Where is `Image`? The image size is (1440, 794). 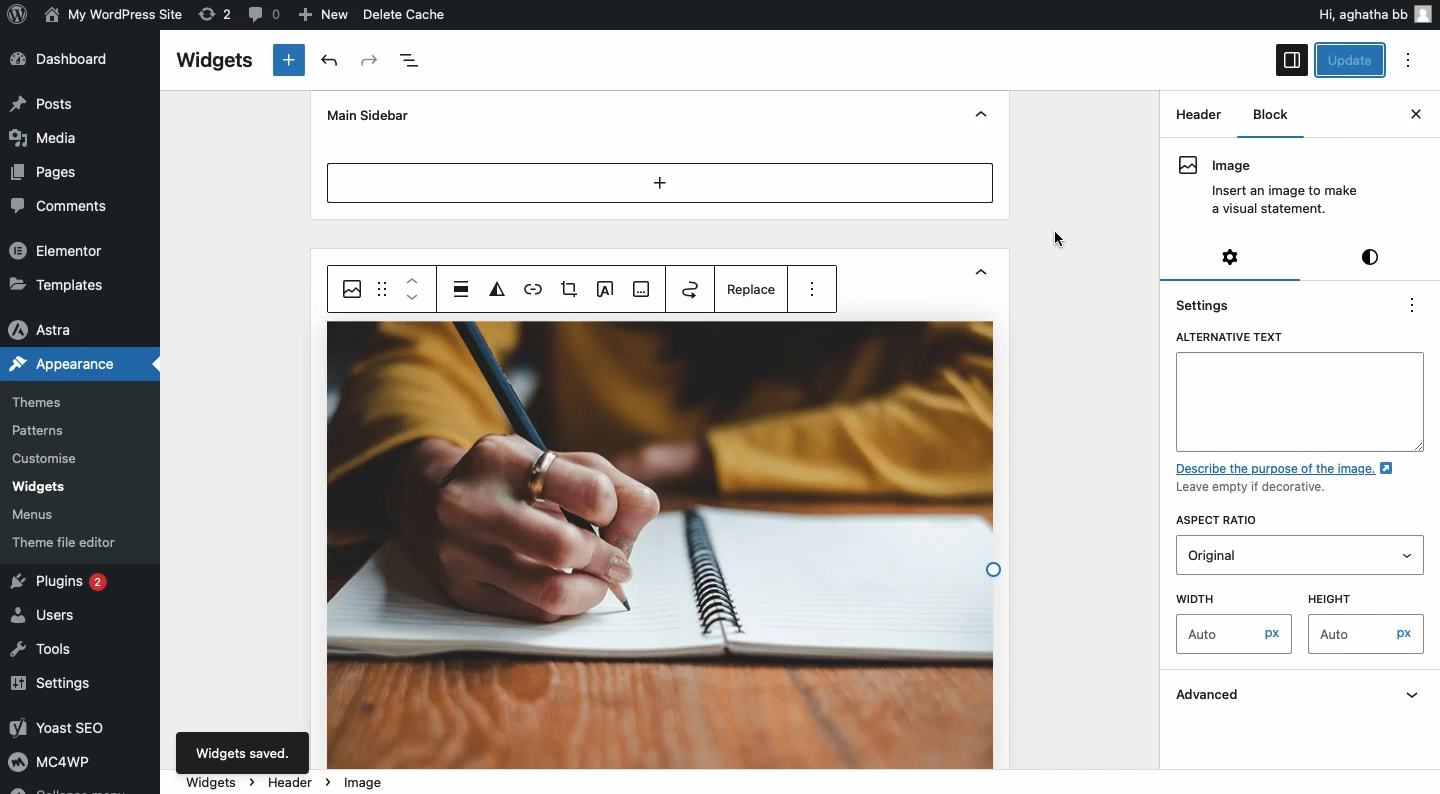 Image is located at coordinates (1267, 187).